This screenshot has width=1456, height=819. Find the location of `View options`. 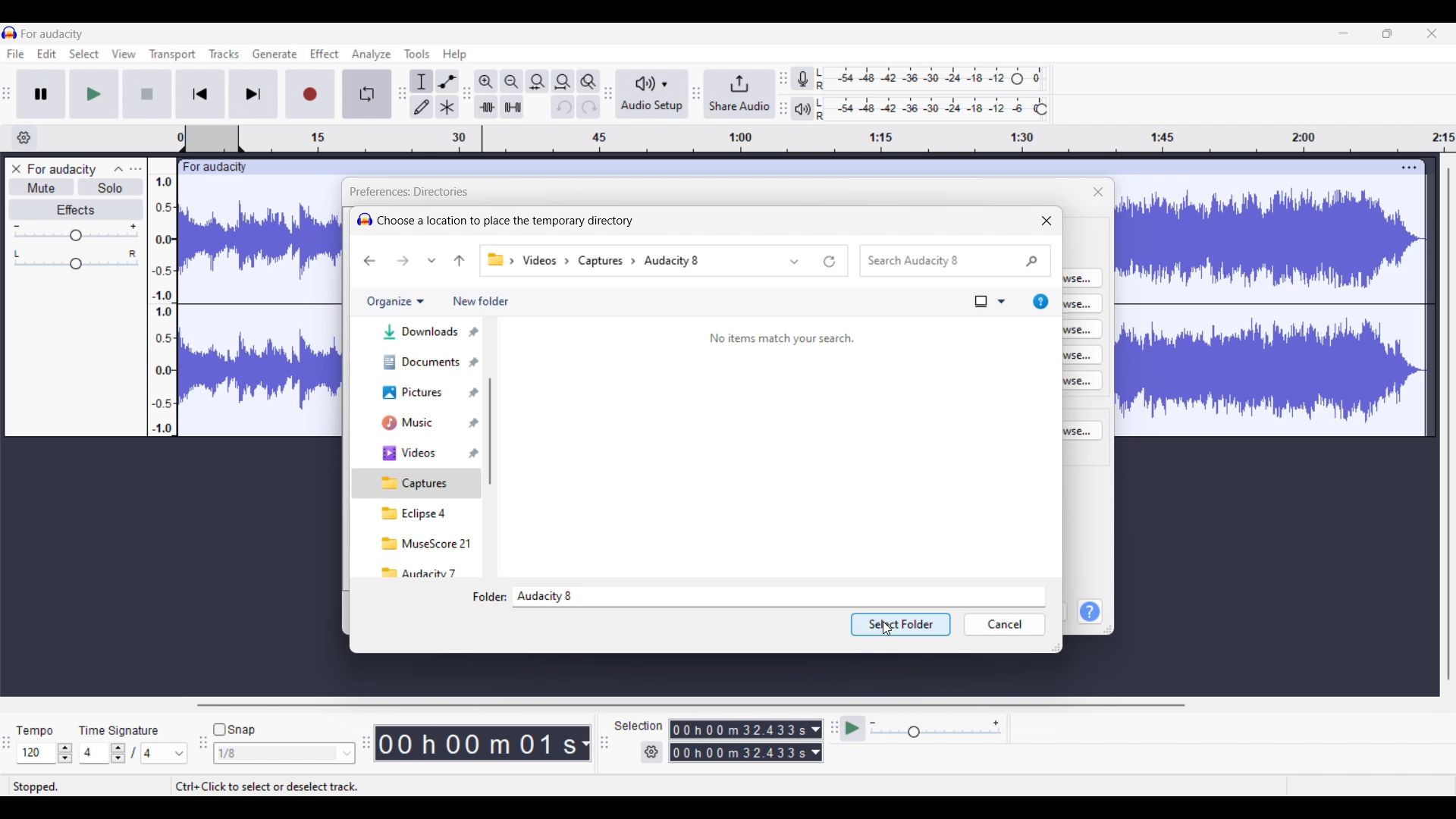

View options is located at coordinates (990, 301).